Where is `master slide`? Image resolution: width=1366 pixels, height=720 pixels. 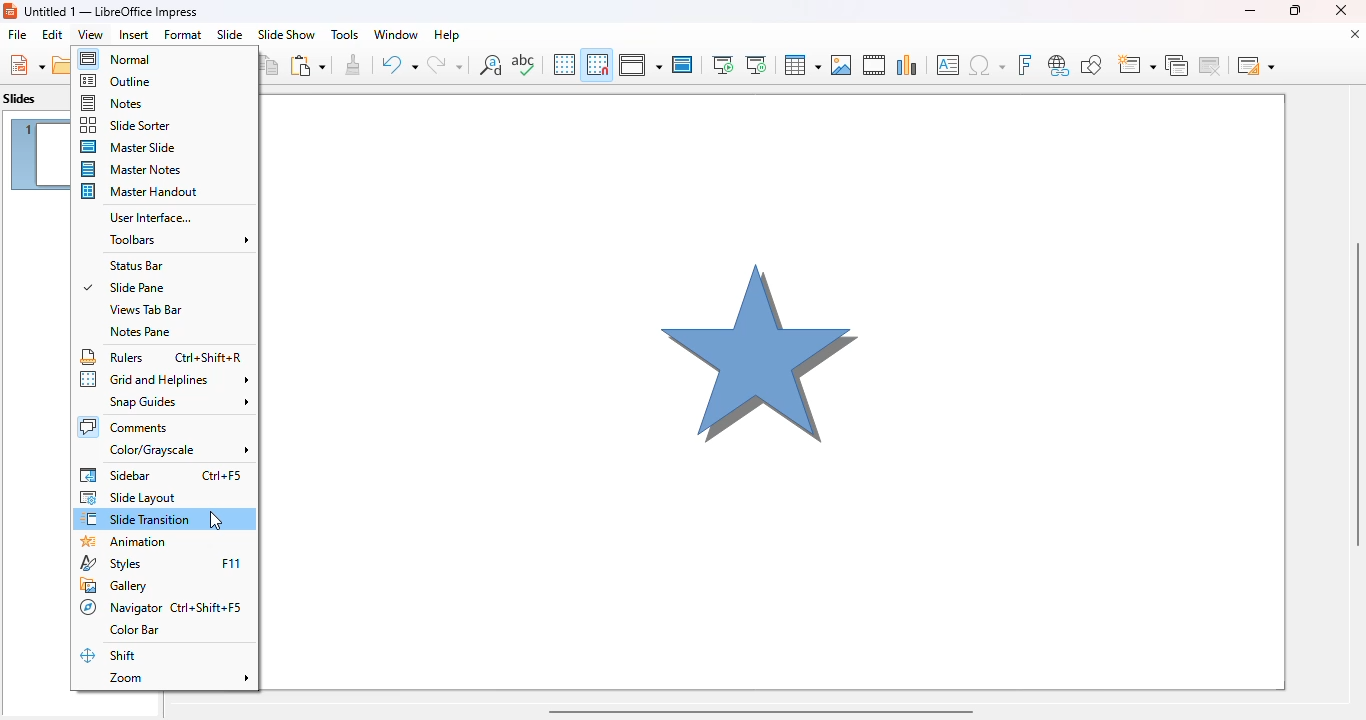
master slide is located at coordinates (129, 147).